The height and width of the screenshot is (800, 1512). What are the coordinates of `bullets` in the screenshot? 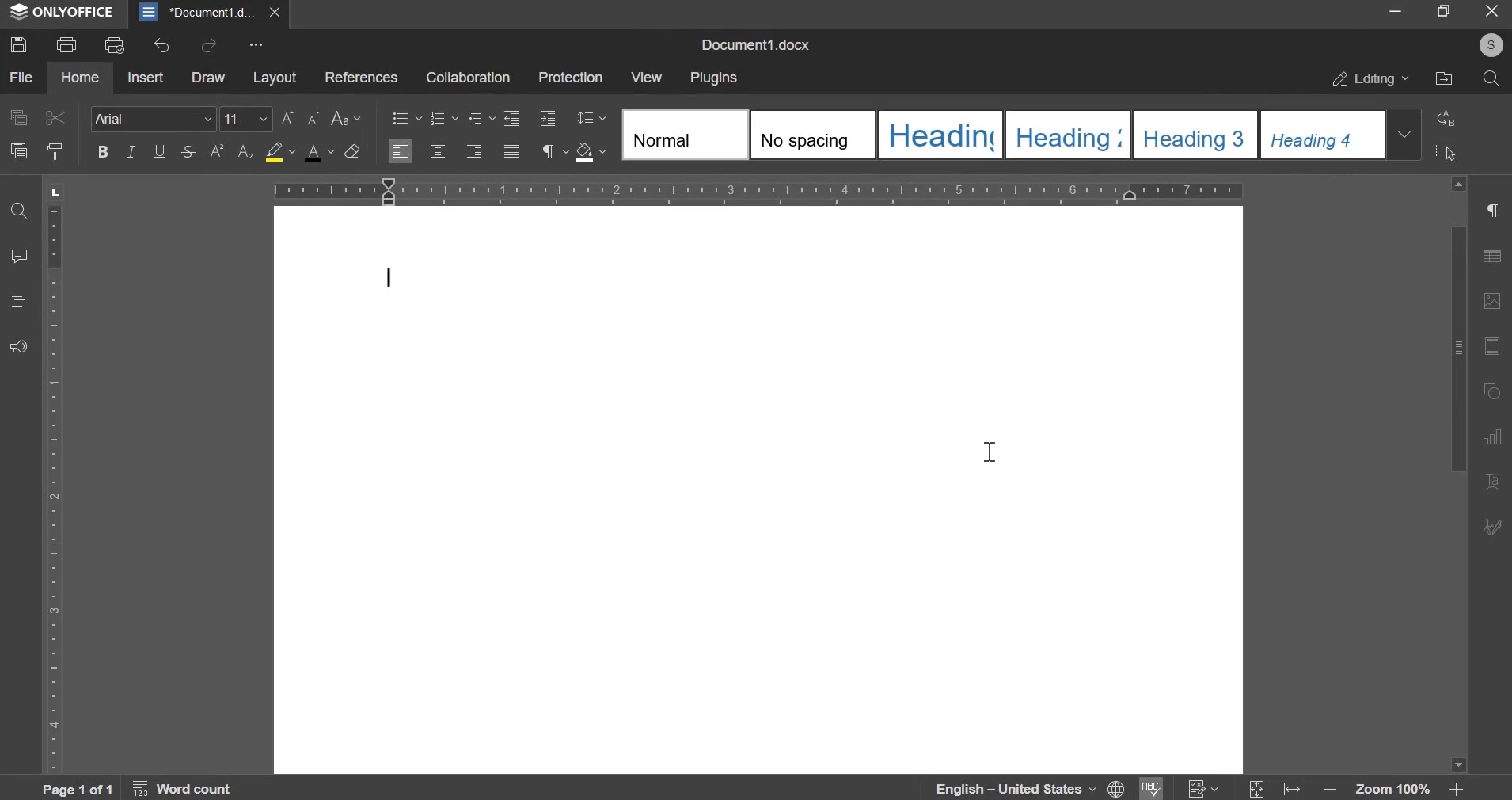 It's located at (403, 120).